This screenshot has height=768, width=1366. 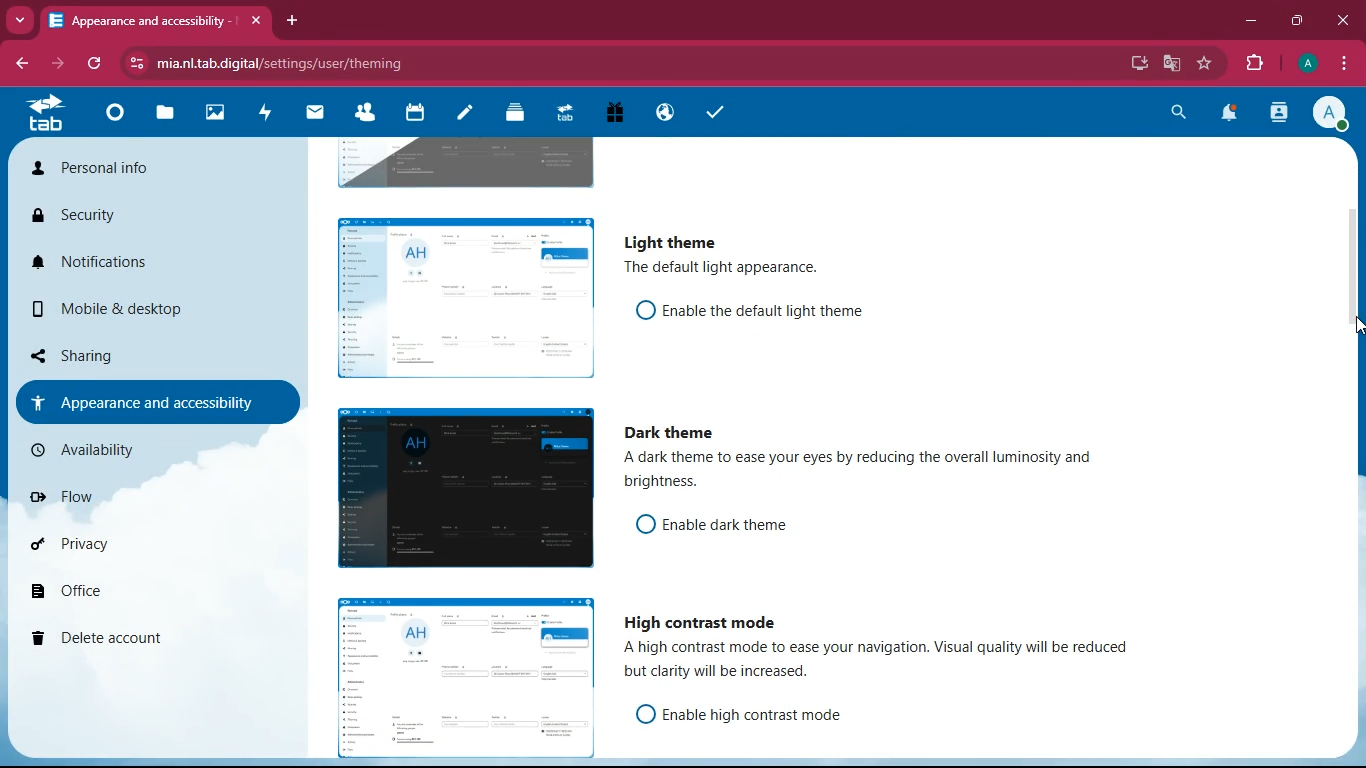 What do you see at coordinates (254, 18) in the screenshot?
I see `close` at bounding box center [254, 18].